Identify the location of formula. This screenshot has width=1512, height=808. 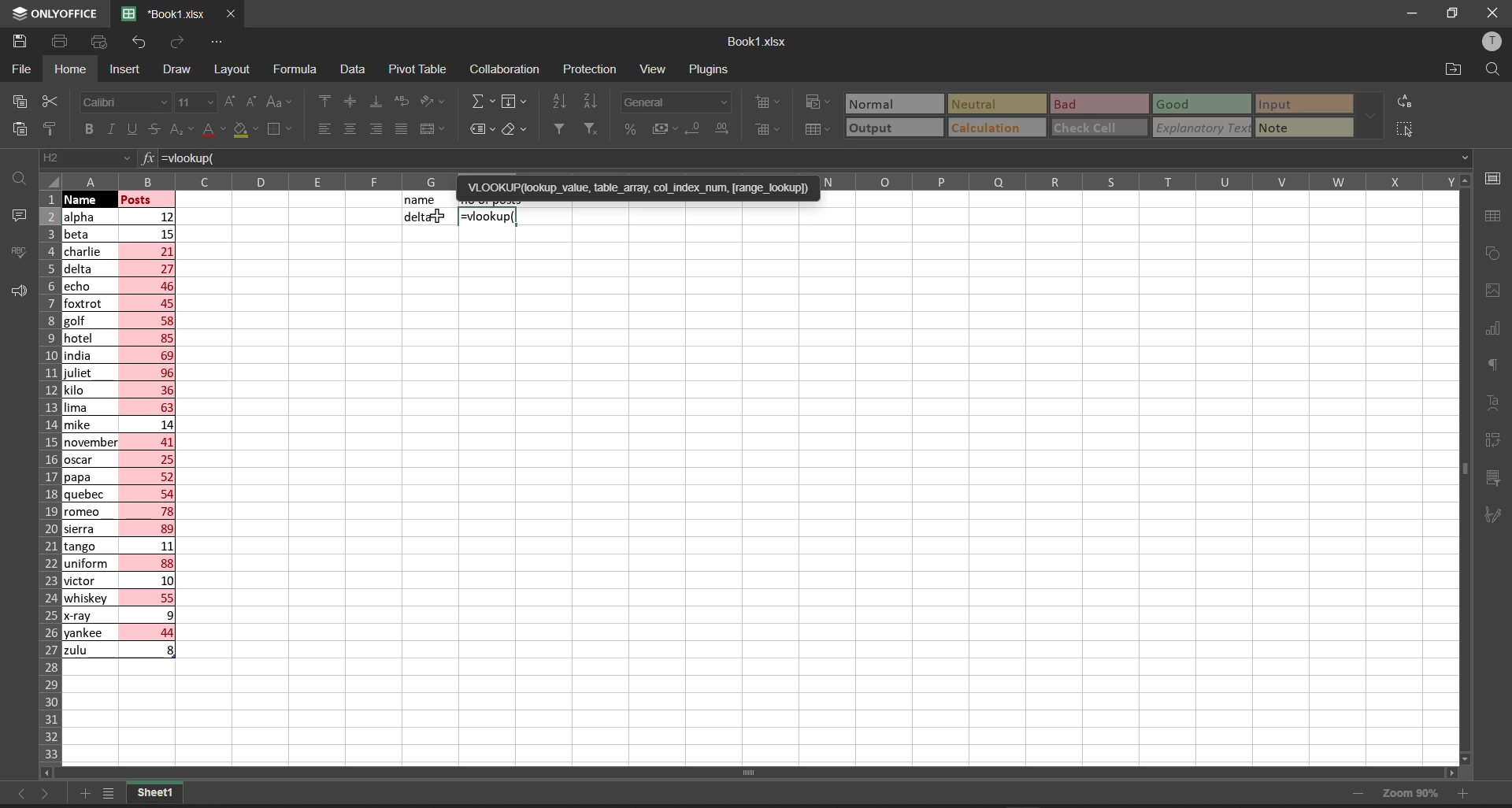
(298, 70).